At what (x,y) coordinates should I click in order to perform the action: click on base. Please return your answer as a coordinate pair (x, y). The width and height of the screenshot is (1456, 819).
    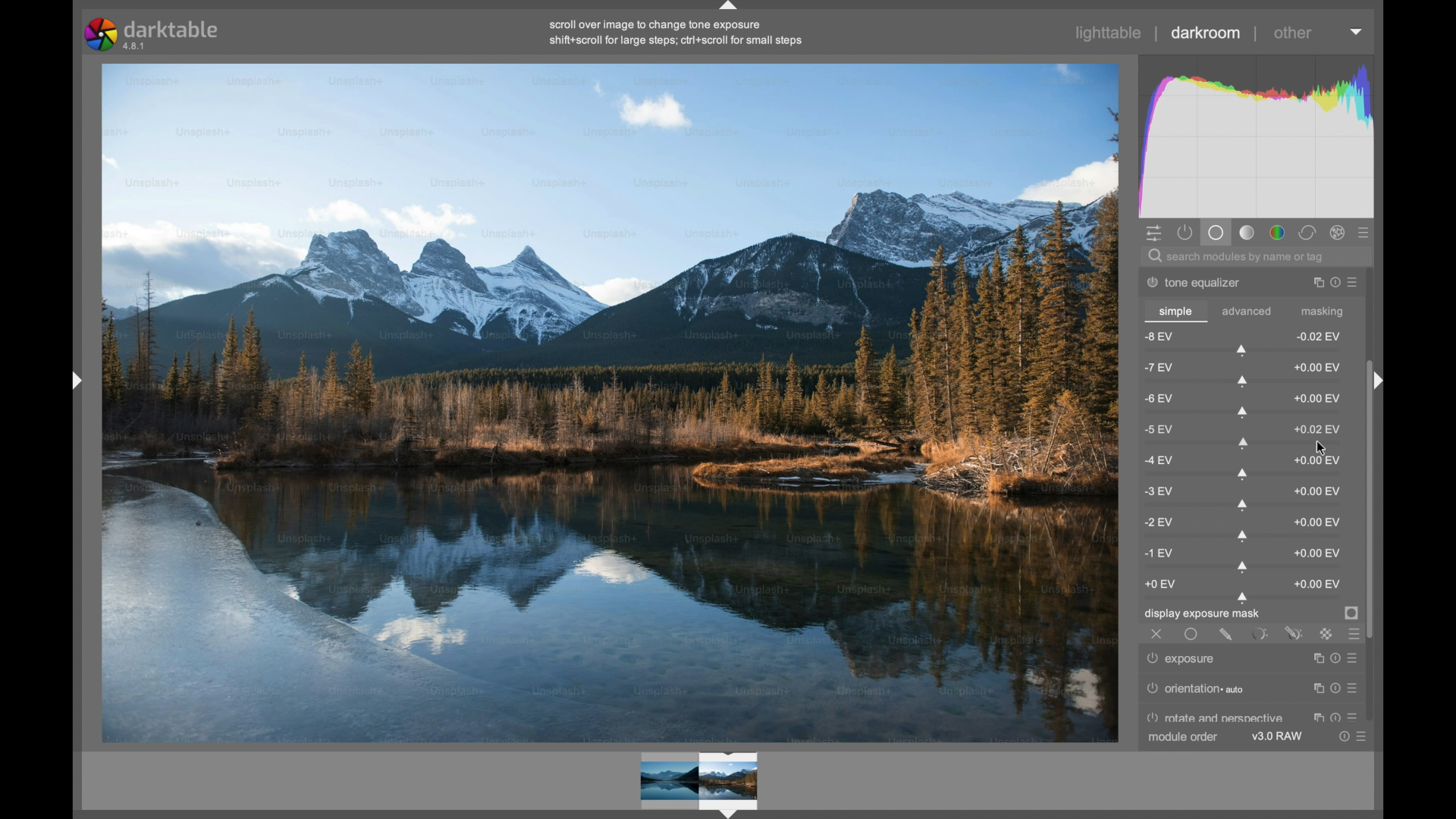
    Looking at the image, I should click on (1216, 234).